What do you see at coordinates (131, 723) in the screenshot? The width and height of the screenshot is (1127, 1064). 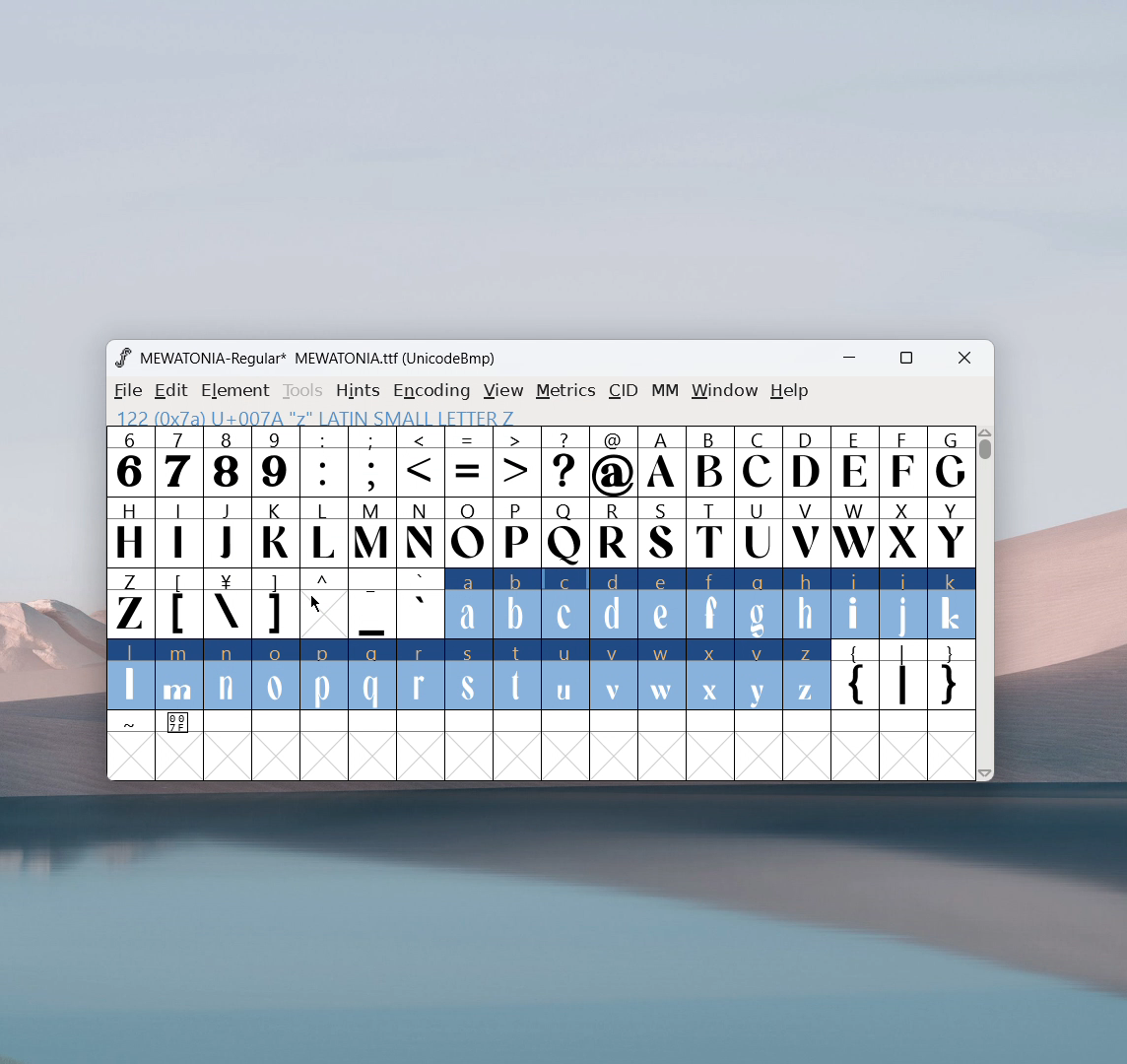 I see `~` at bounding box center [131, 723].